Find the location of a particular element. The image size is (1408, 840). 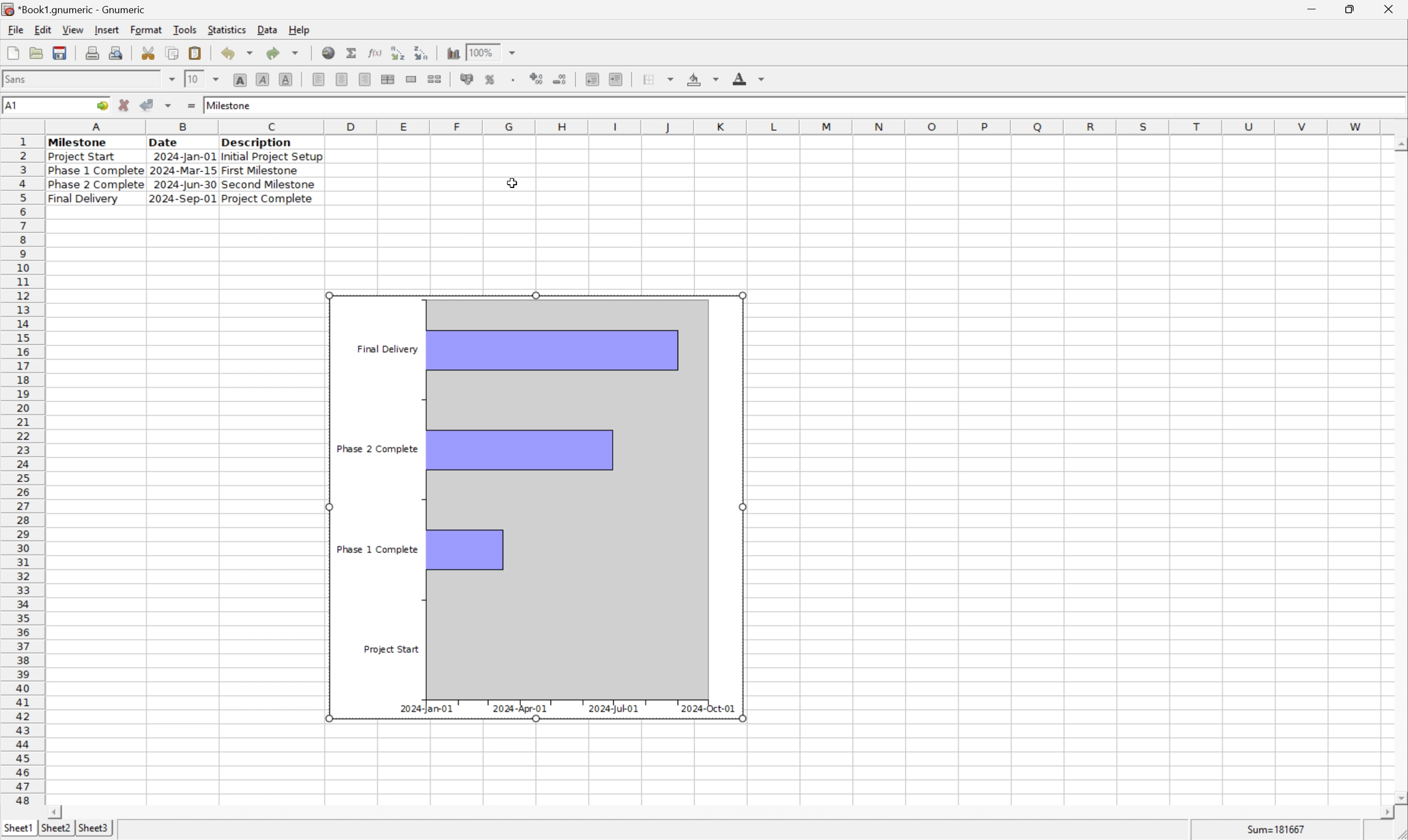

merge a range of cells is located at coordinates (412, 79).